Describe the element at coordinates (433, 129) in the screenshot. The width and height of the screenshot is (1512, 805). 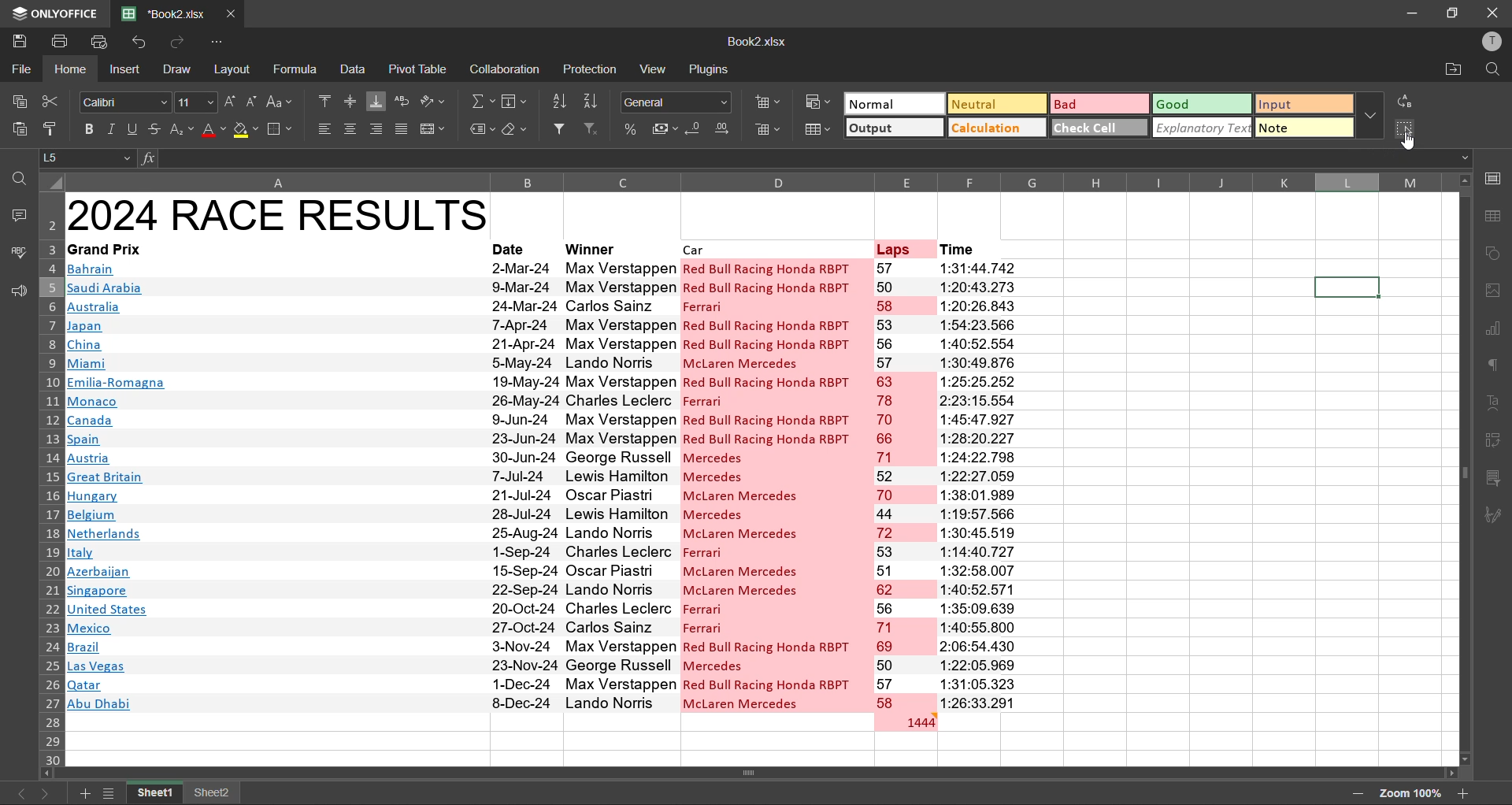
I see `merge and center` at that location.